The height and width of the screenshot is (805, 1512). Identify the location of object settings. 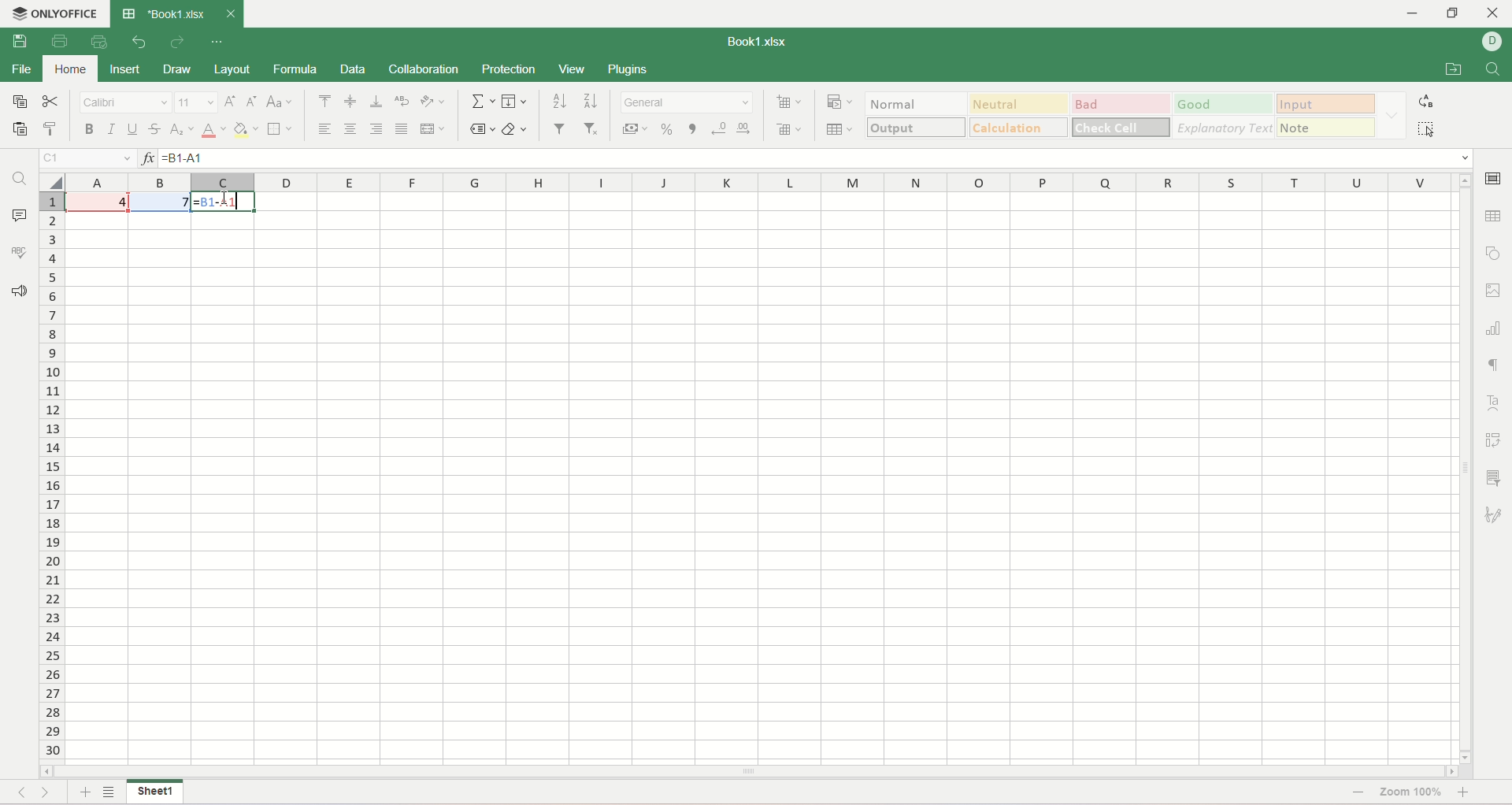
(1493, 250).